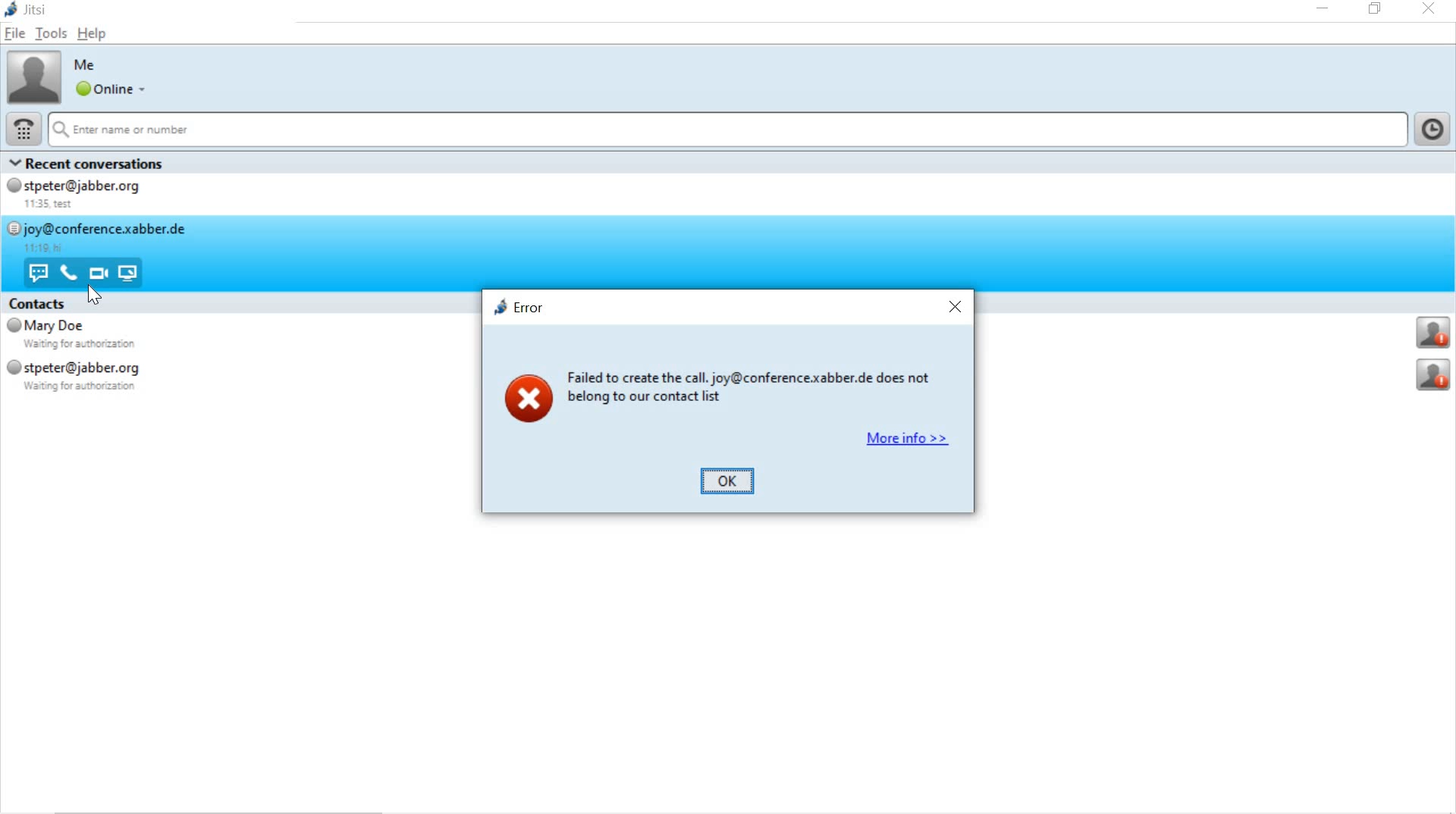  I want to click on more Info, so click(908, 443).